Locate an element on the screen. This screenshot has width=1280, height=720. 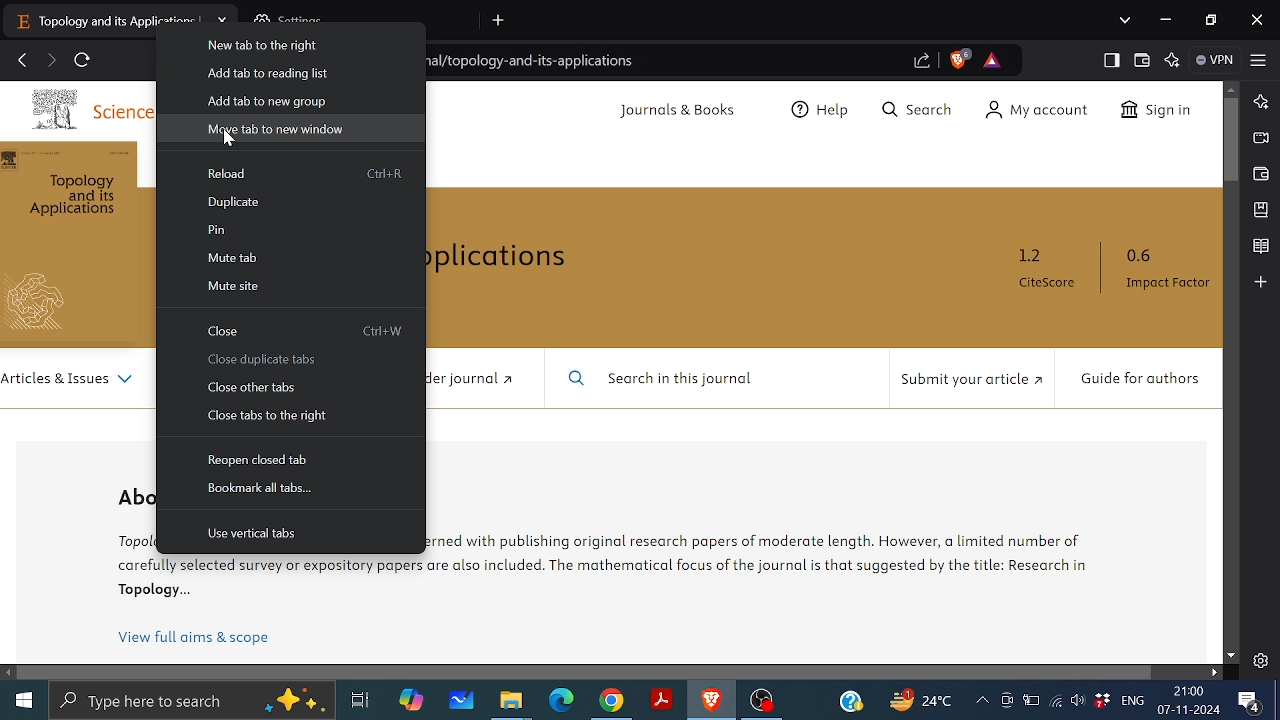
Windows edge is located at coordinates (560, 701).